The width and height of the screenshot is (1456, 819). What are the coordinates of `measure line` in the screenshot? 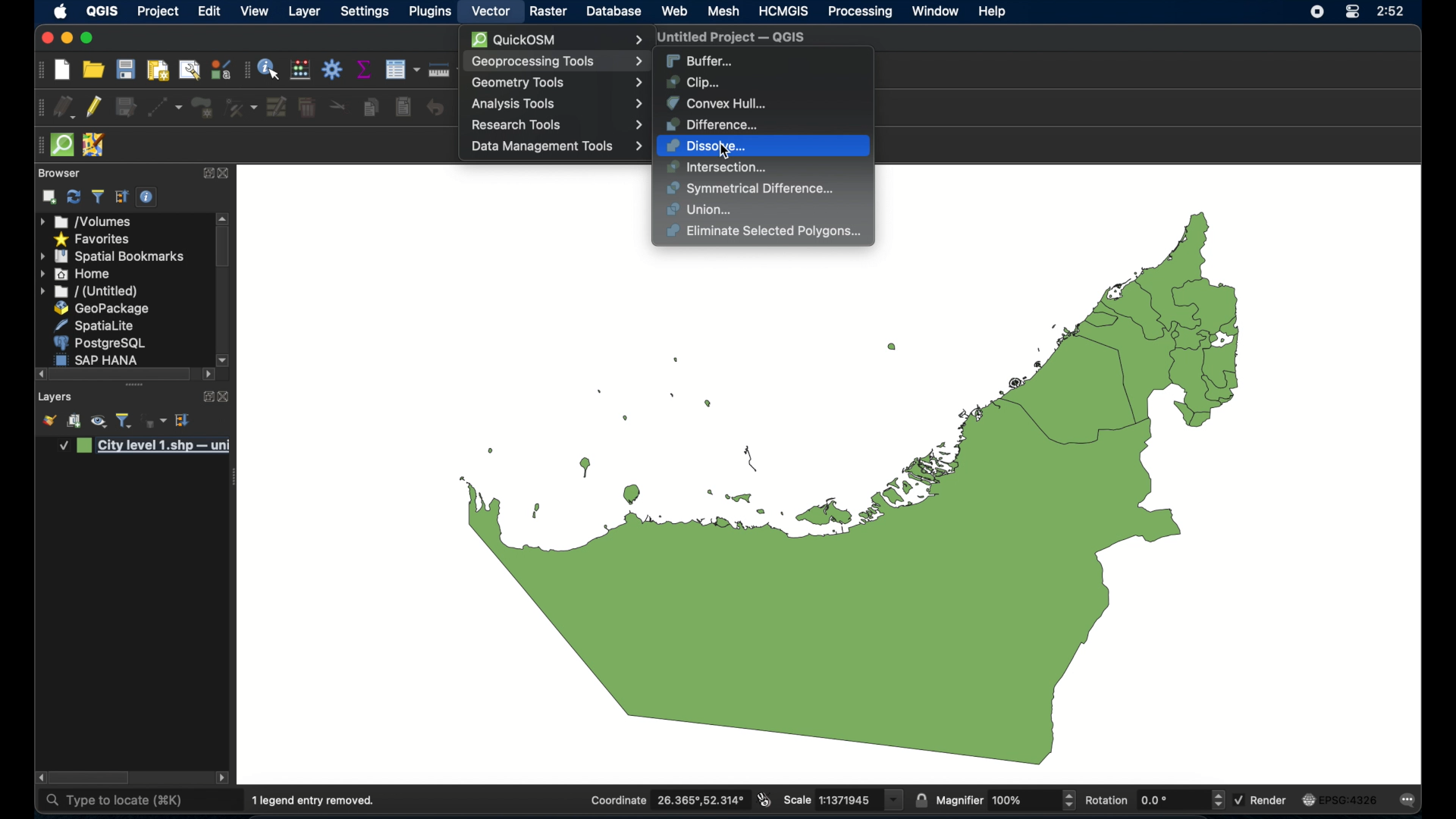 It's located at (438, 69).